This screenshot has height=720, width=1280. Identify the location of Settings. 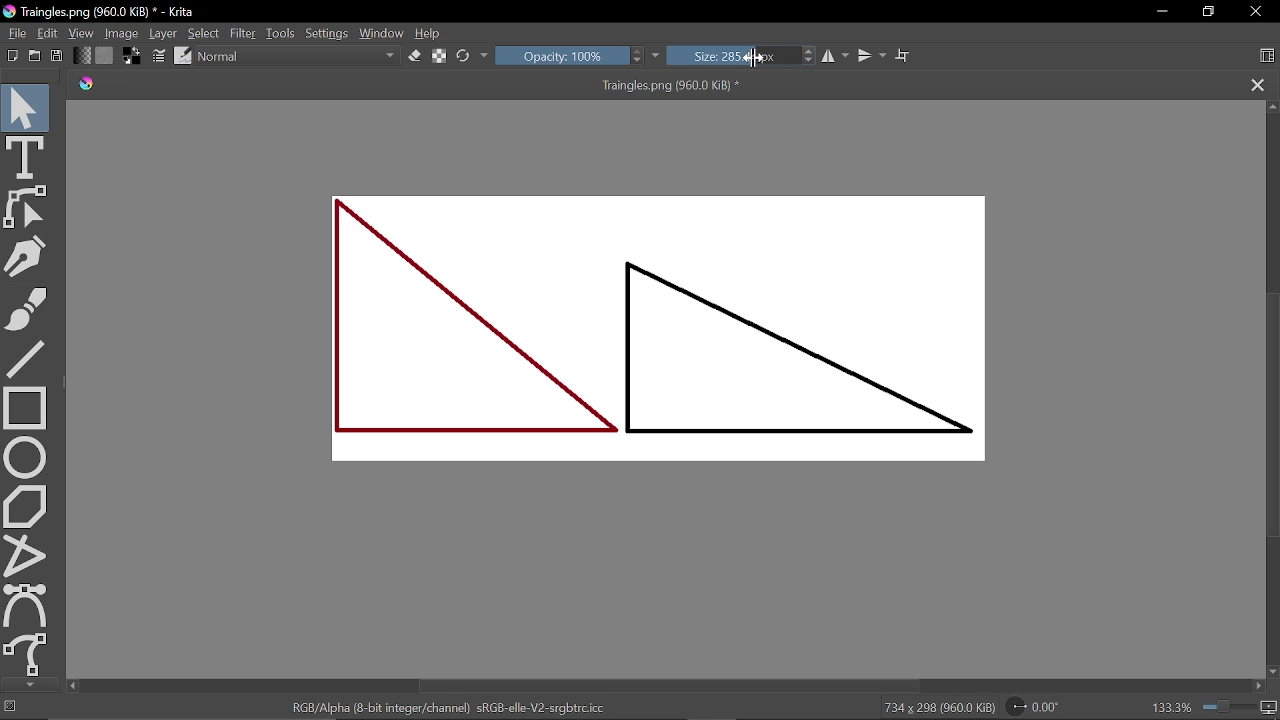
(327, 34).